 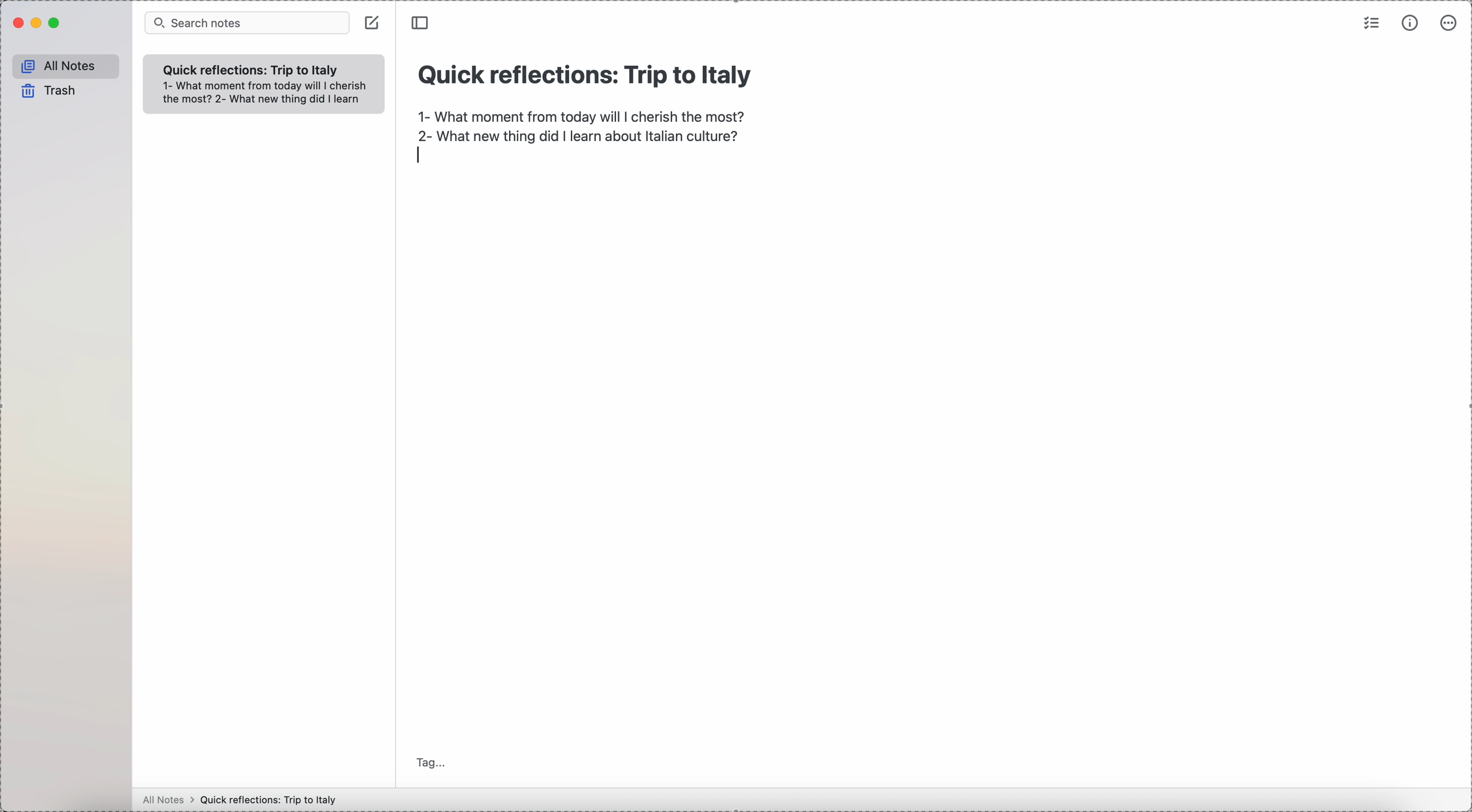 What do you see at coordinates (422, 23) in the screenshot?
I see `toggle sidebar` at bounding box center [422, 23].